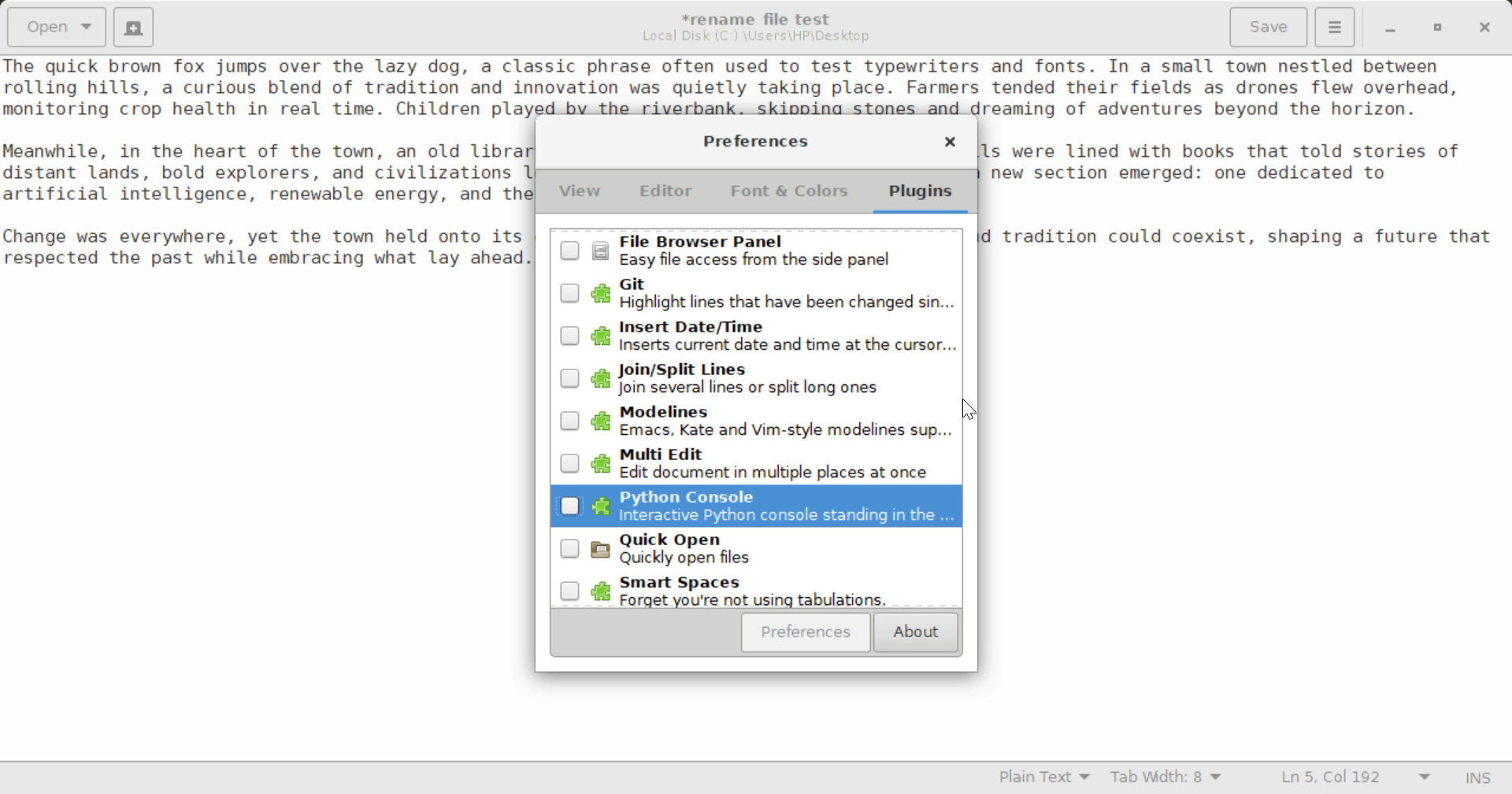 Image resolution: width=1512 pixels, height=794 pixels. Describe the element at coordinates (756, 36) in the screenshot. I see `File Location` at that location.